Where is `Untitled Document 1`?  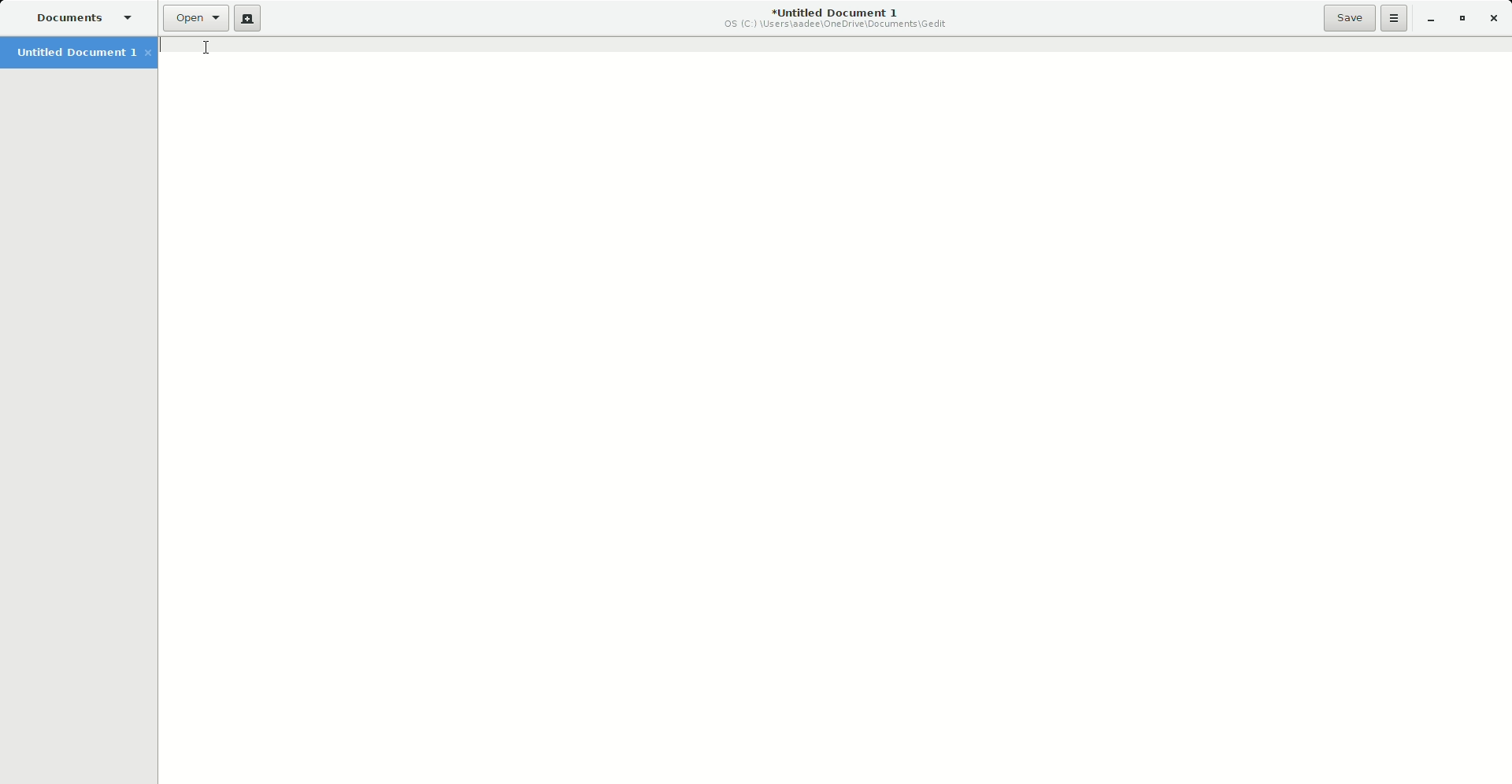
Untitled Document 1 is located at coordinates (832, 19).